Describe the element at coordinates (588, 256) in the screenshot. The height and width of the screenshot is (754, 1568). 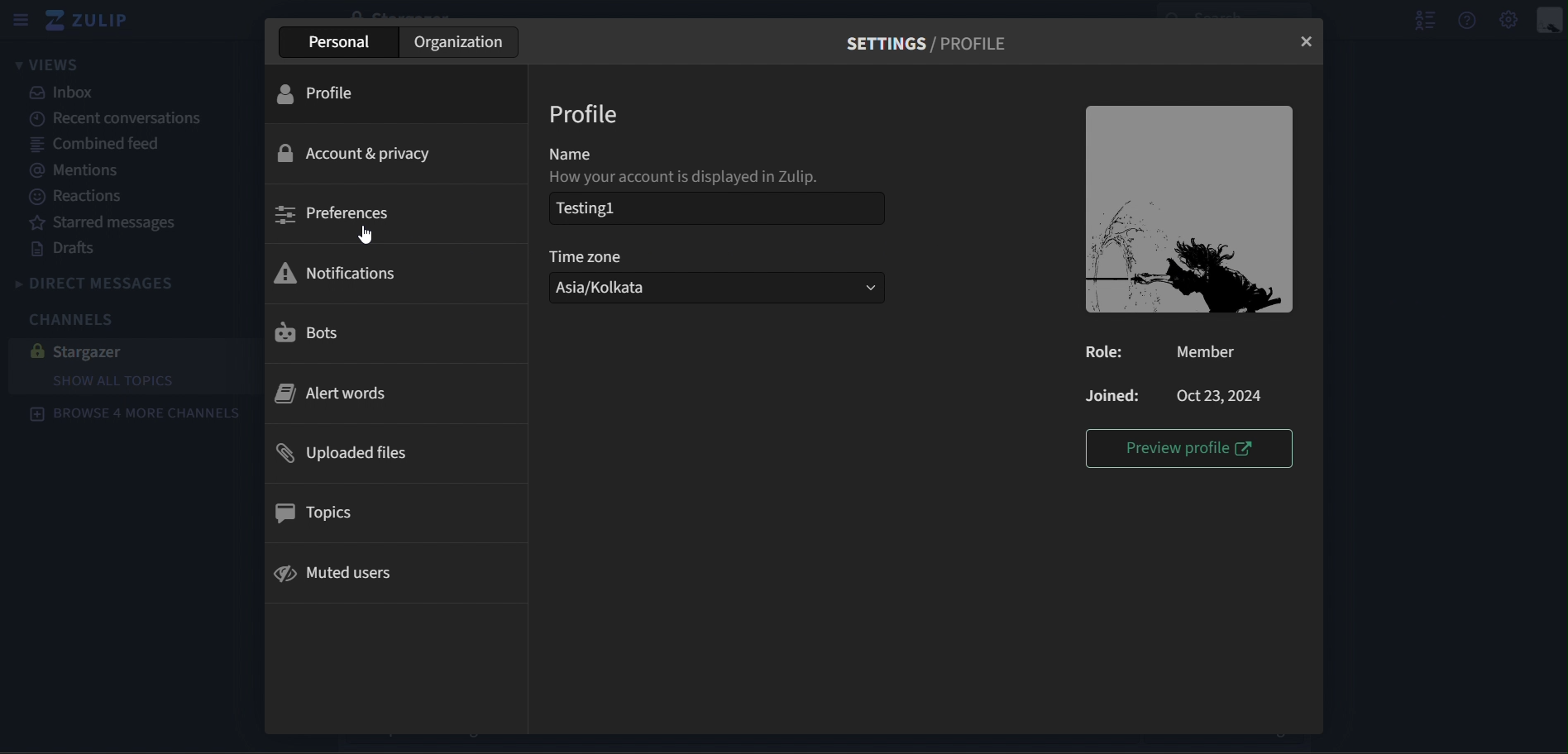
I see `Time zone` at that location.